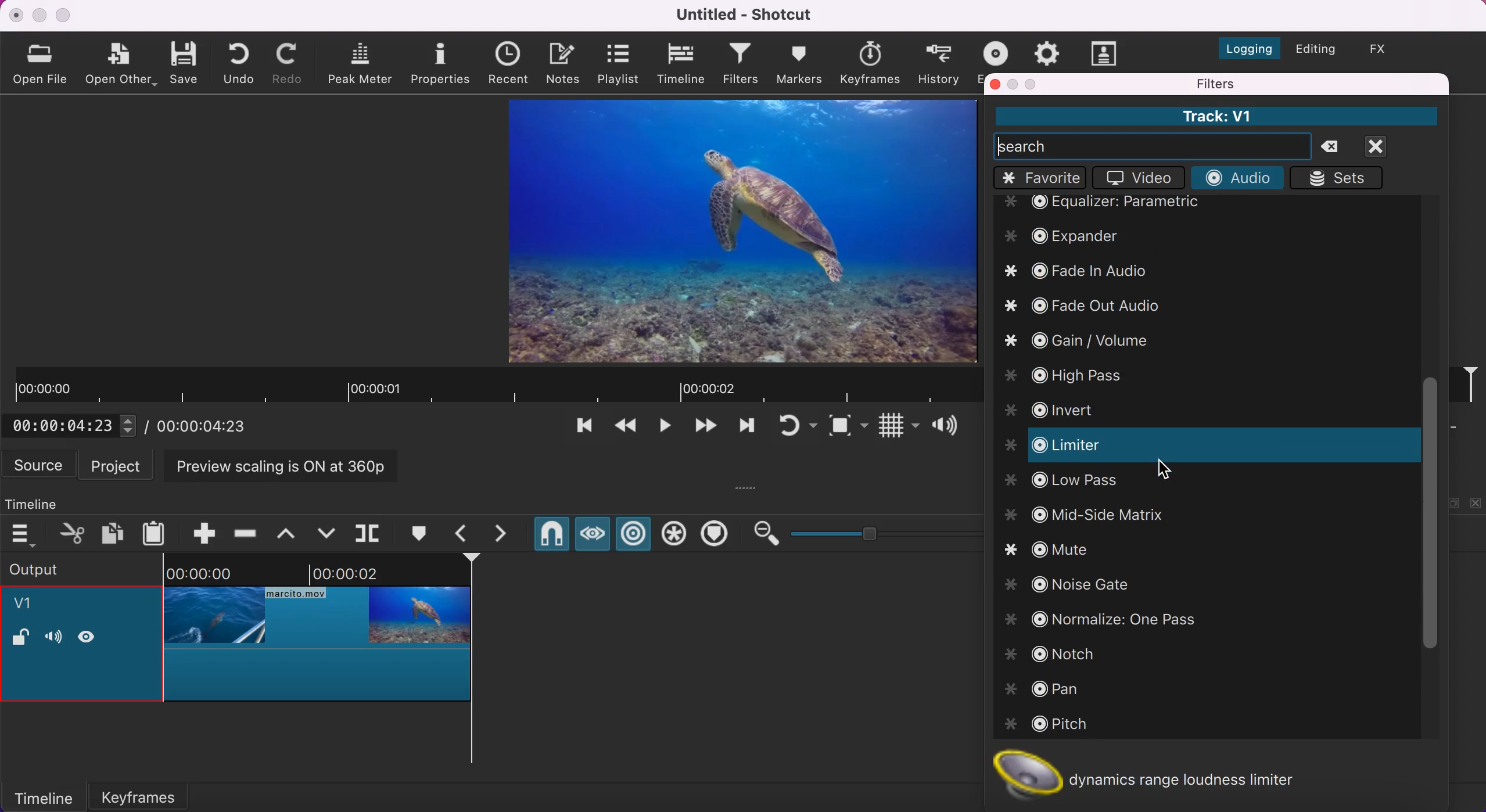 The width and height of the screenshot is (1486, 812). What do you see at coordinates (940, 63) in the screenshot?
I see `history` at bounding box center [940, 63].